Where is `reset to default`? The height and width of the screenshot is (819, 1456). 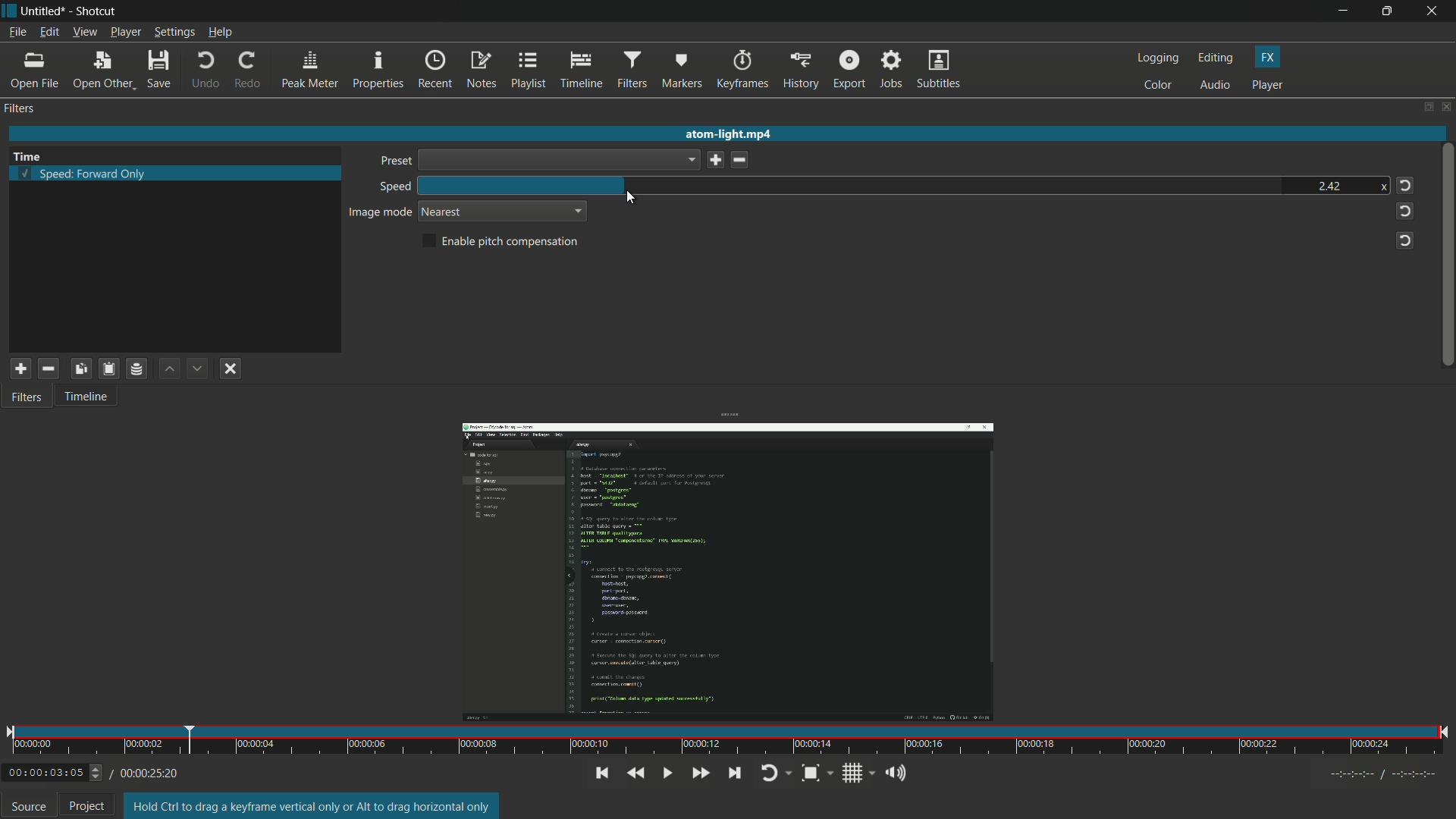
reset to default is located at coordinates (1404, 185).